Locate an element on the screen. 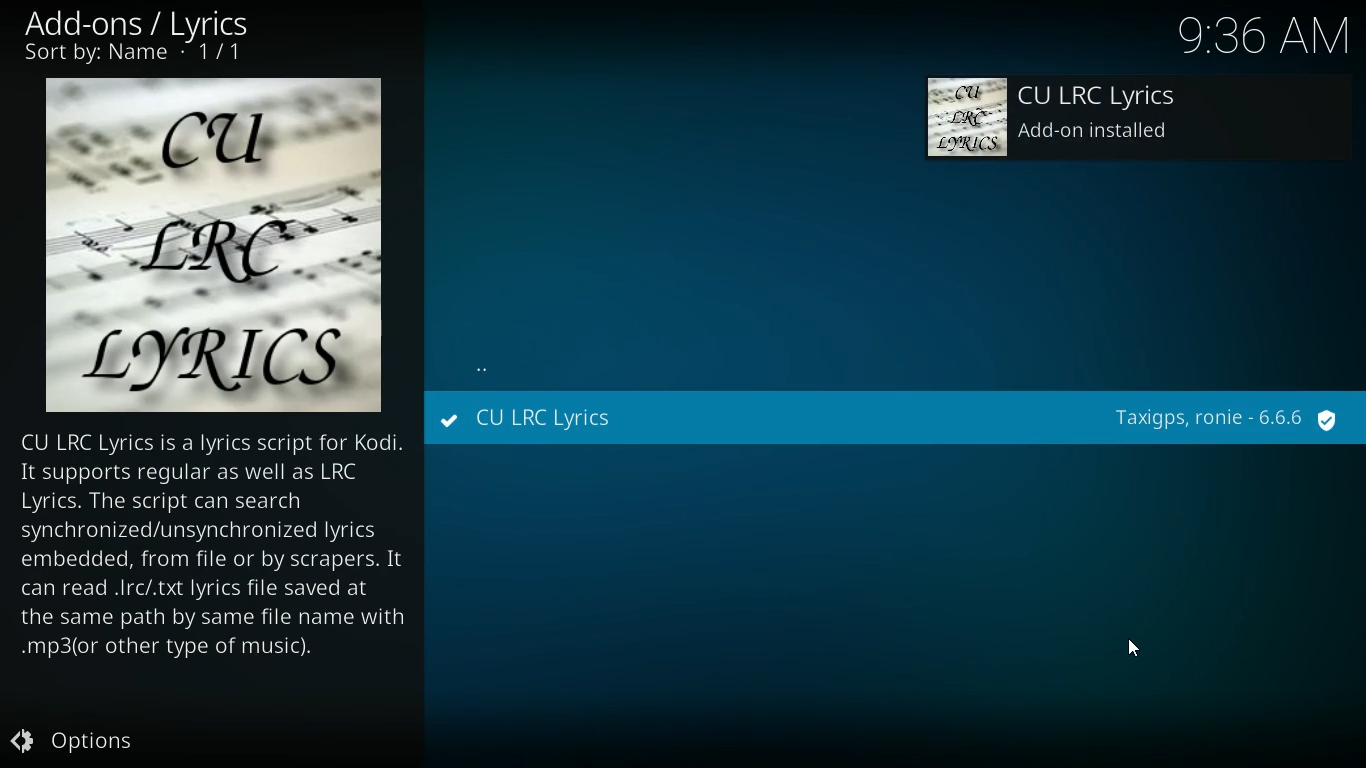 The height and width of the screenshot is (768, 1366). installed is located at coordinates (450, 426).